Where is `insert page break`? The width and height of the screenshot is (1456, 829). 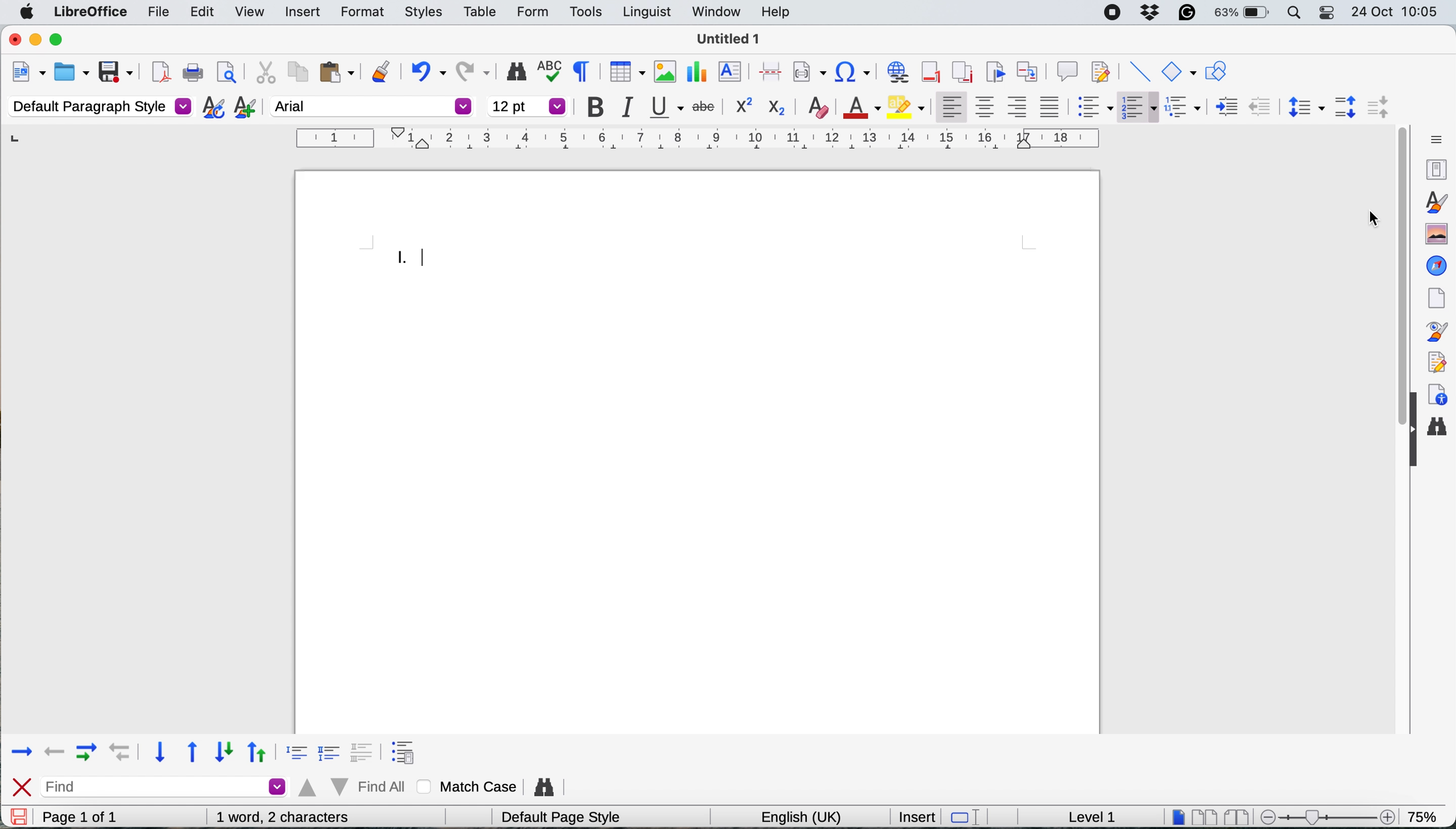
insert page break is located at coordinates (769, 71).